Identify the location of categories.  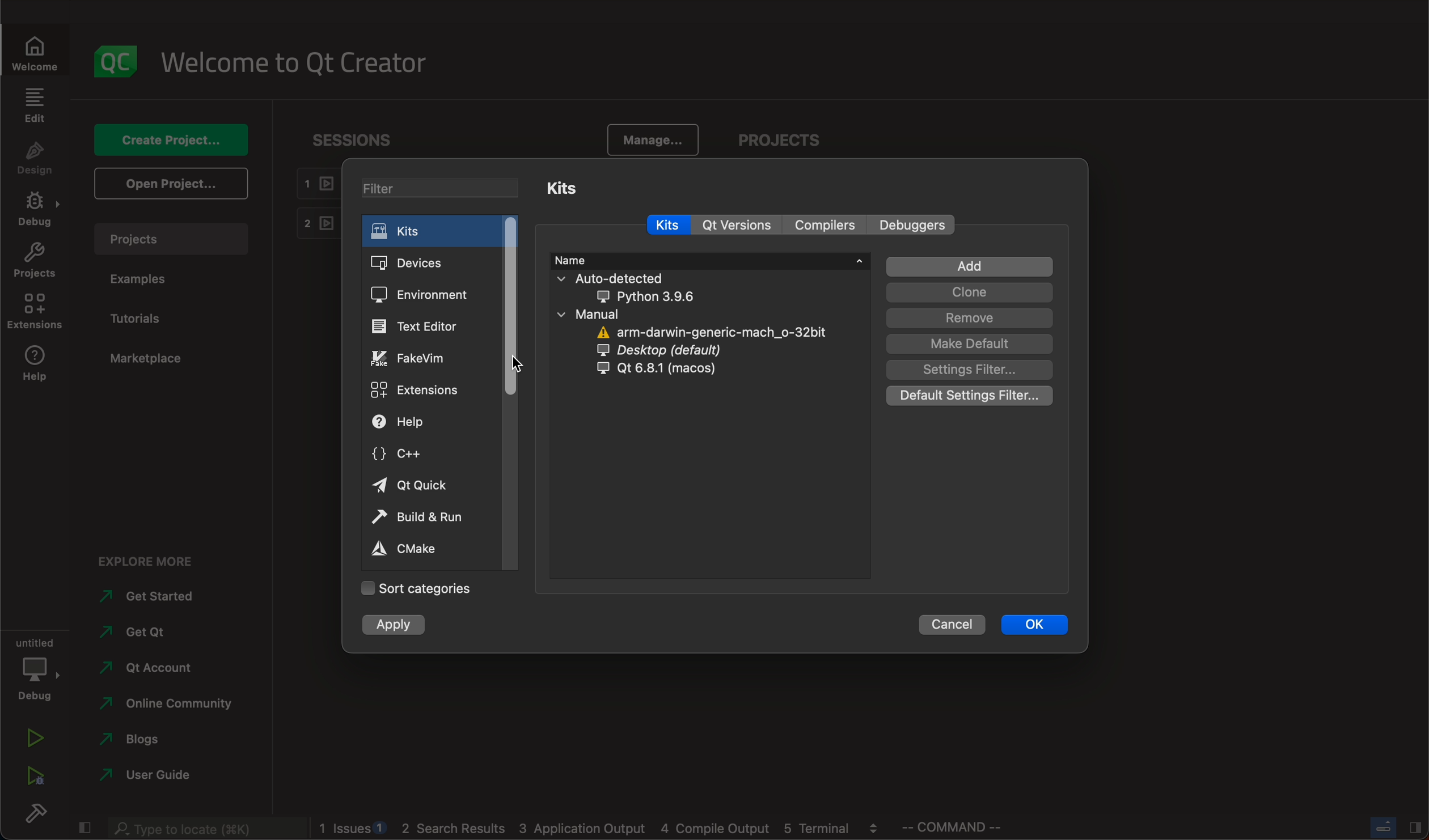
(430, 587).